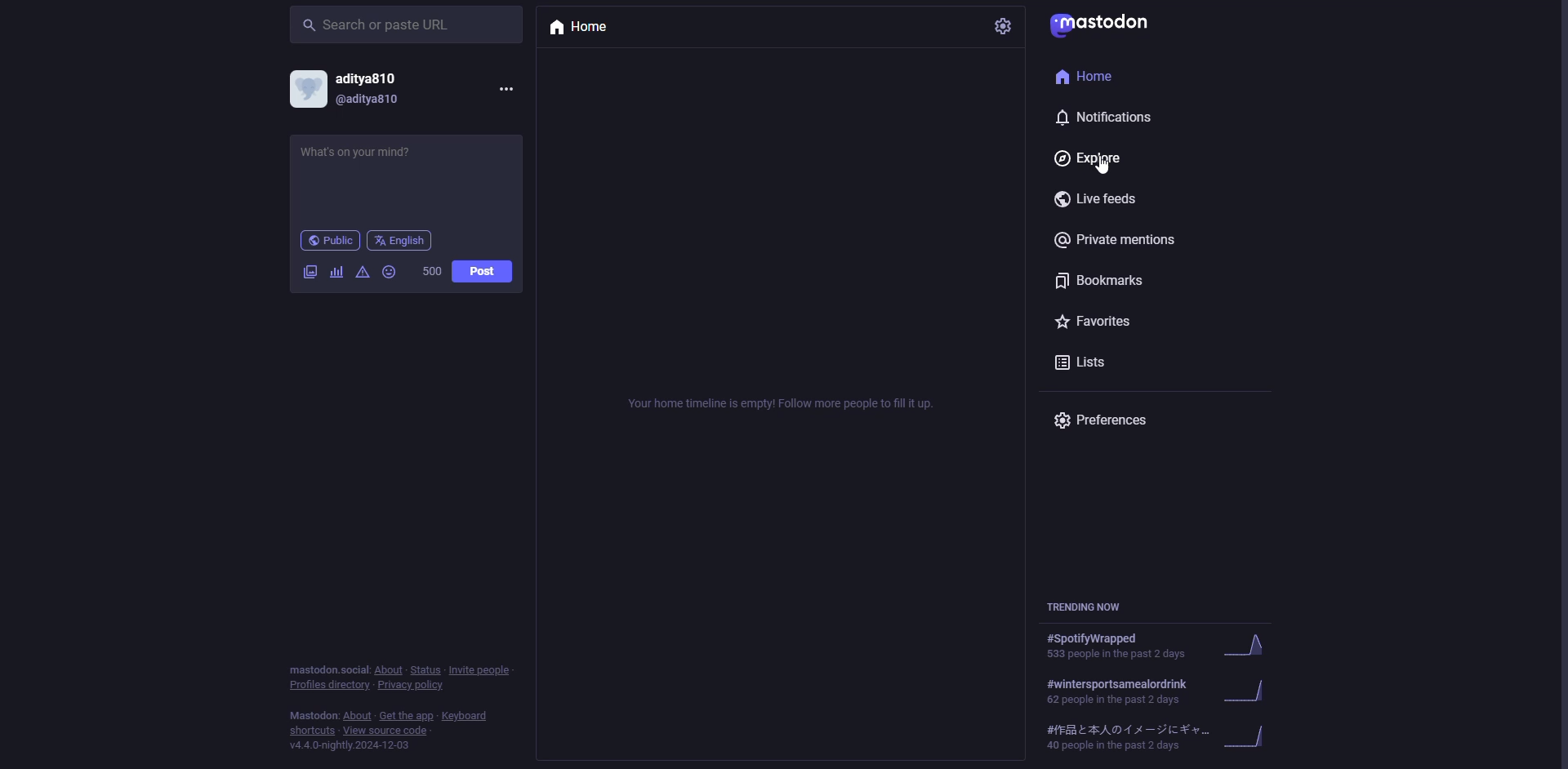 The height and width of the screenshot is (769, 1568). Describe the element at coordinates (373, 166) in the screenshot. I see `write` at that location.